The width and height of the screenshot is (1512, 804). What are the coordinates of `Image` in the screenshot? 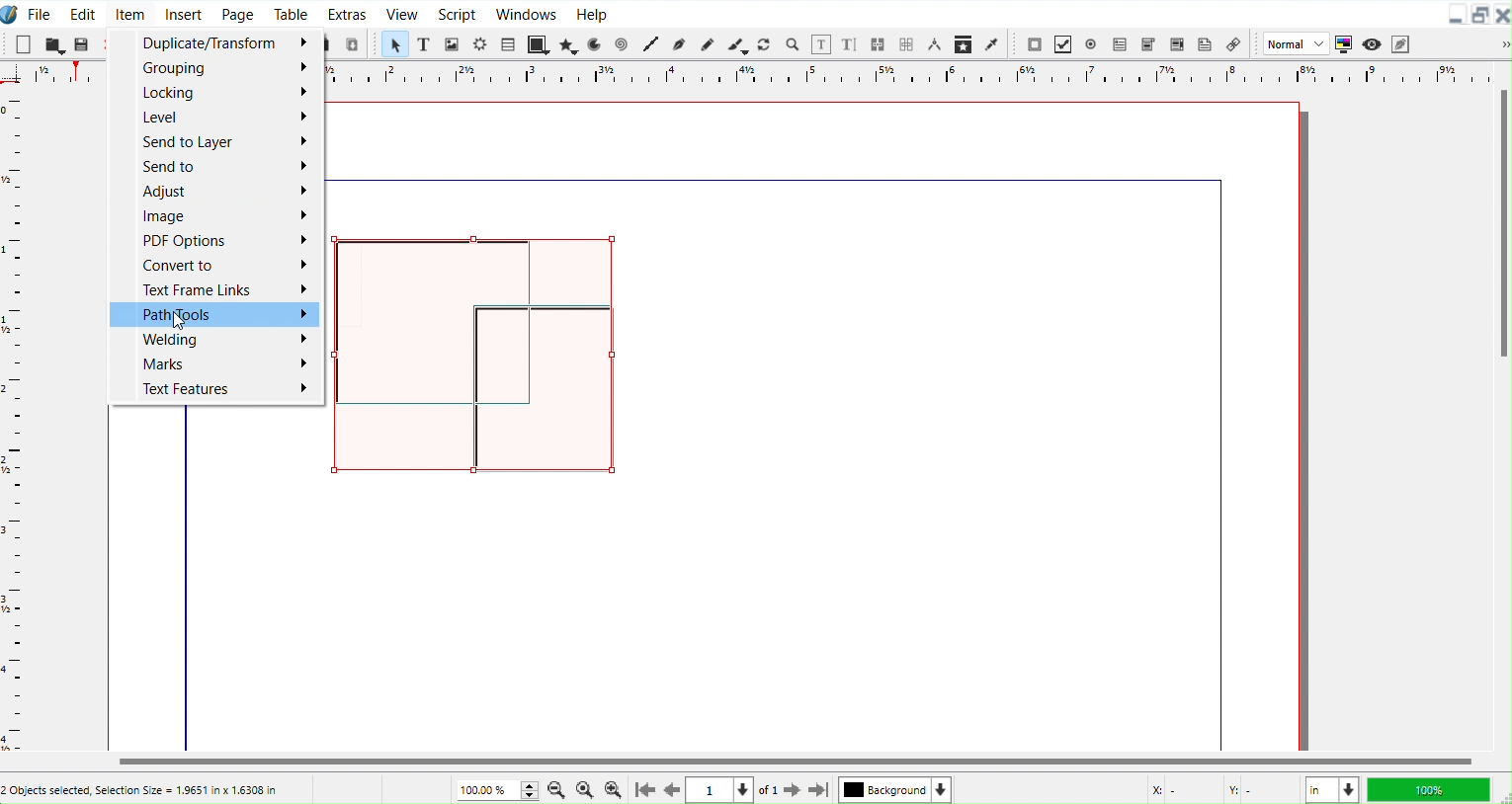 It's located at (213, 216).